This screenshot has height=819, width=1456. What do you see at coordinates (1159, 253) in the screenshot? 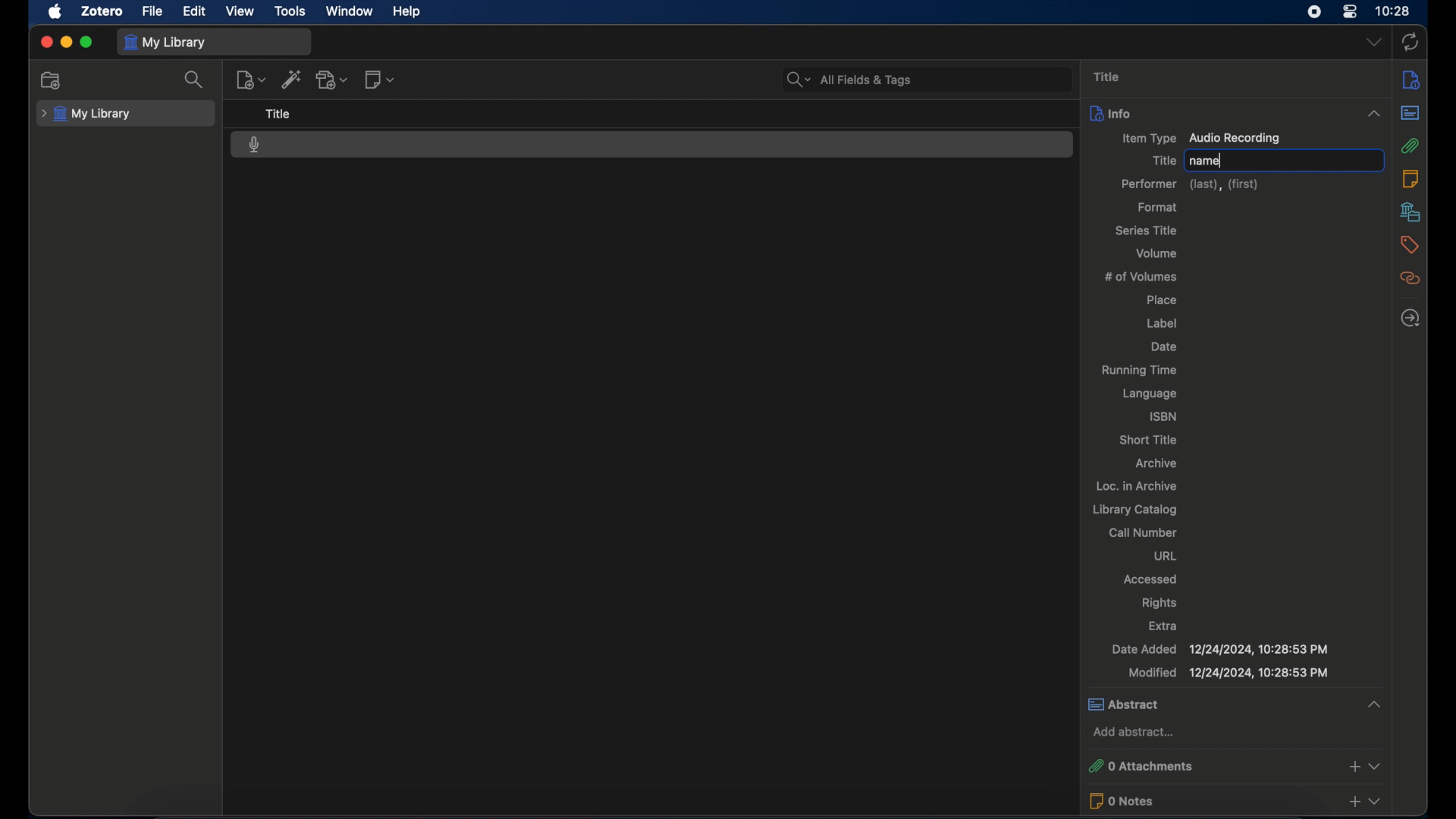
I see `volume` at bounding box center [1159, 253].